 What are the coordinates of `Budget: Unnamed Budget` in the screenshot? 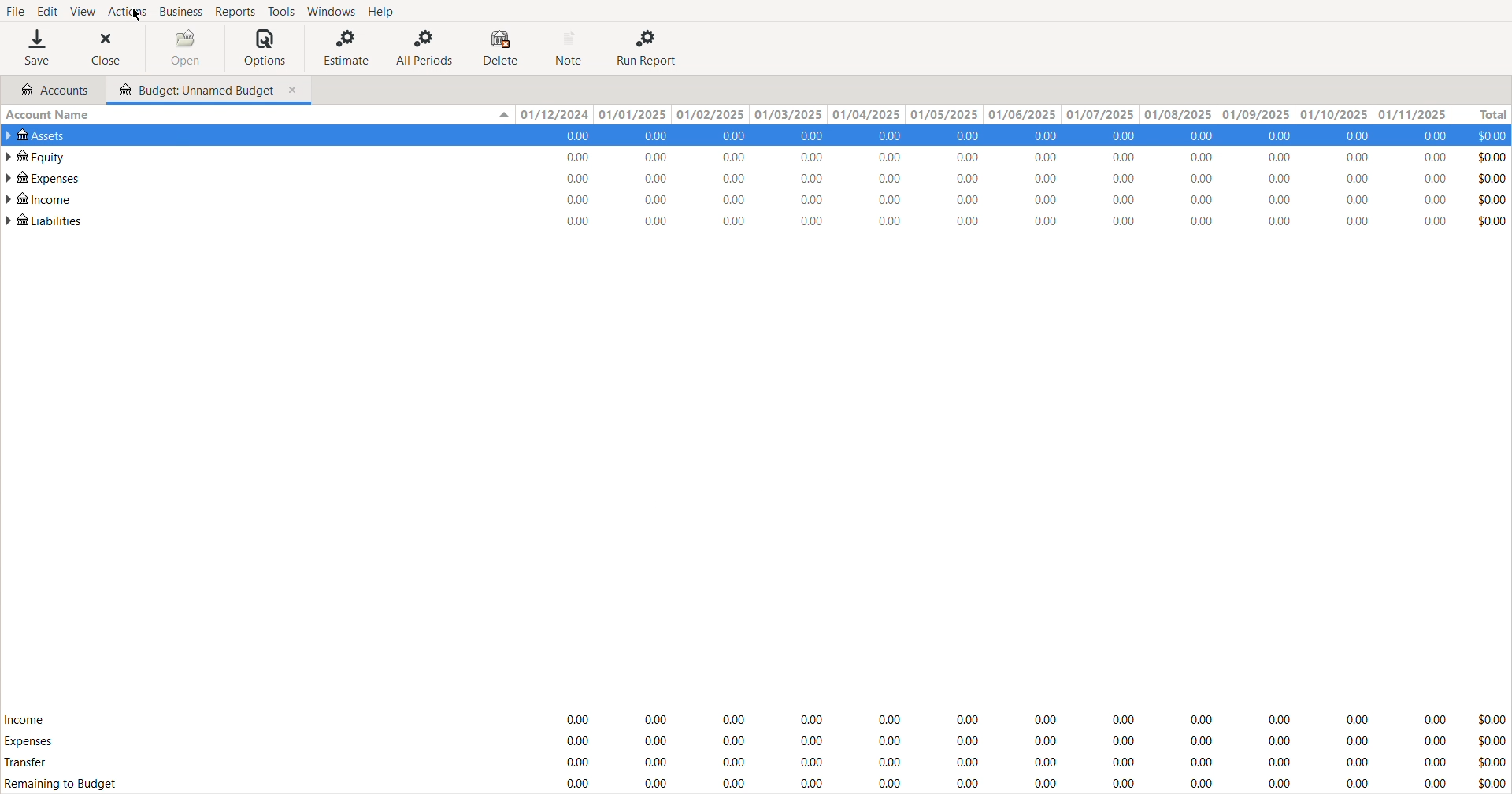 It's located at (209, 90).